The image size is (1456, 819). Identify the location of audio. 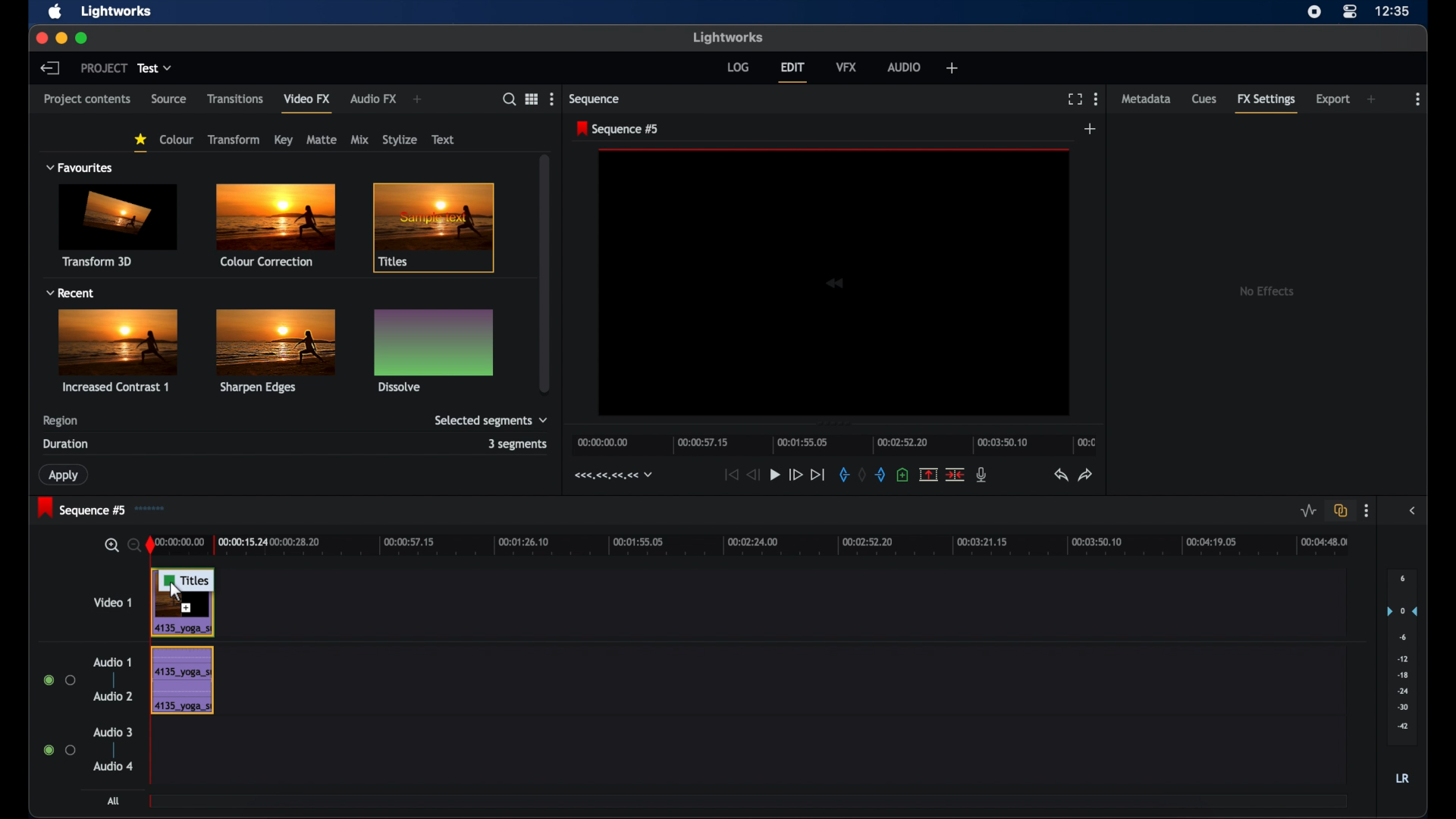
(904, 66).